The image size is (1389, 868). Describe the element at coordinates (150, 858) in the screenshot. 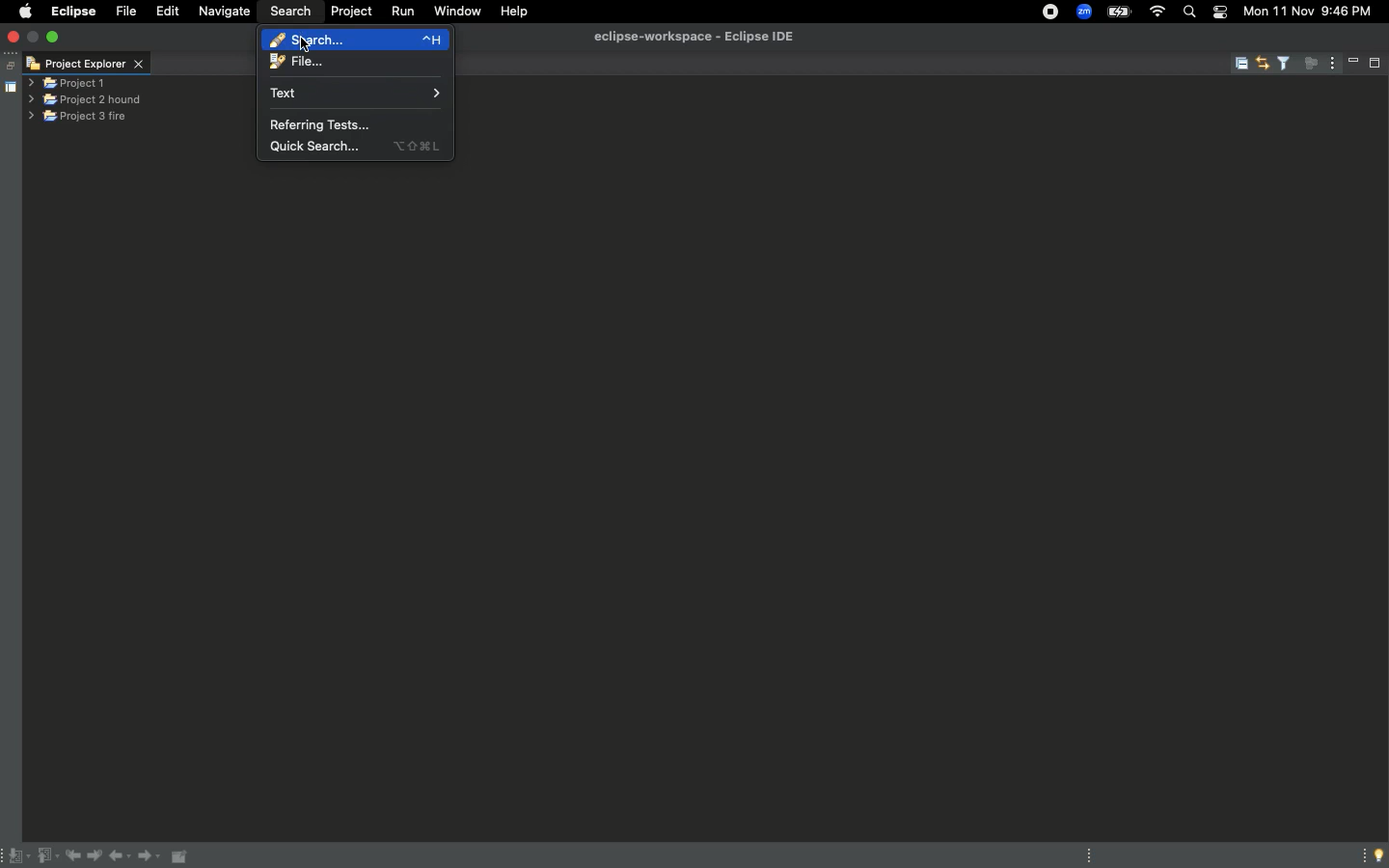

I see `Forward` at that location.